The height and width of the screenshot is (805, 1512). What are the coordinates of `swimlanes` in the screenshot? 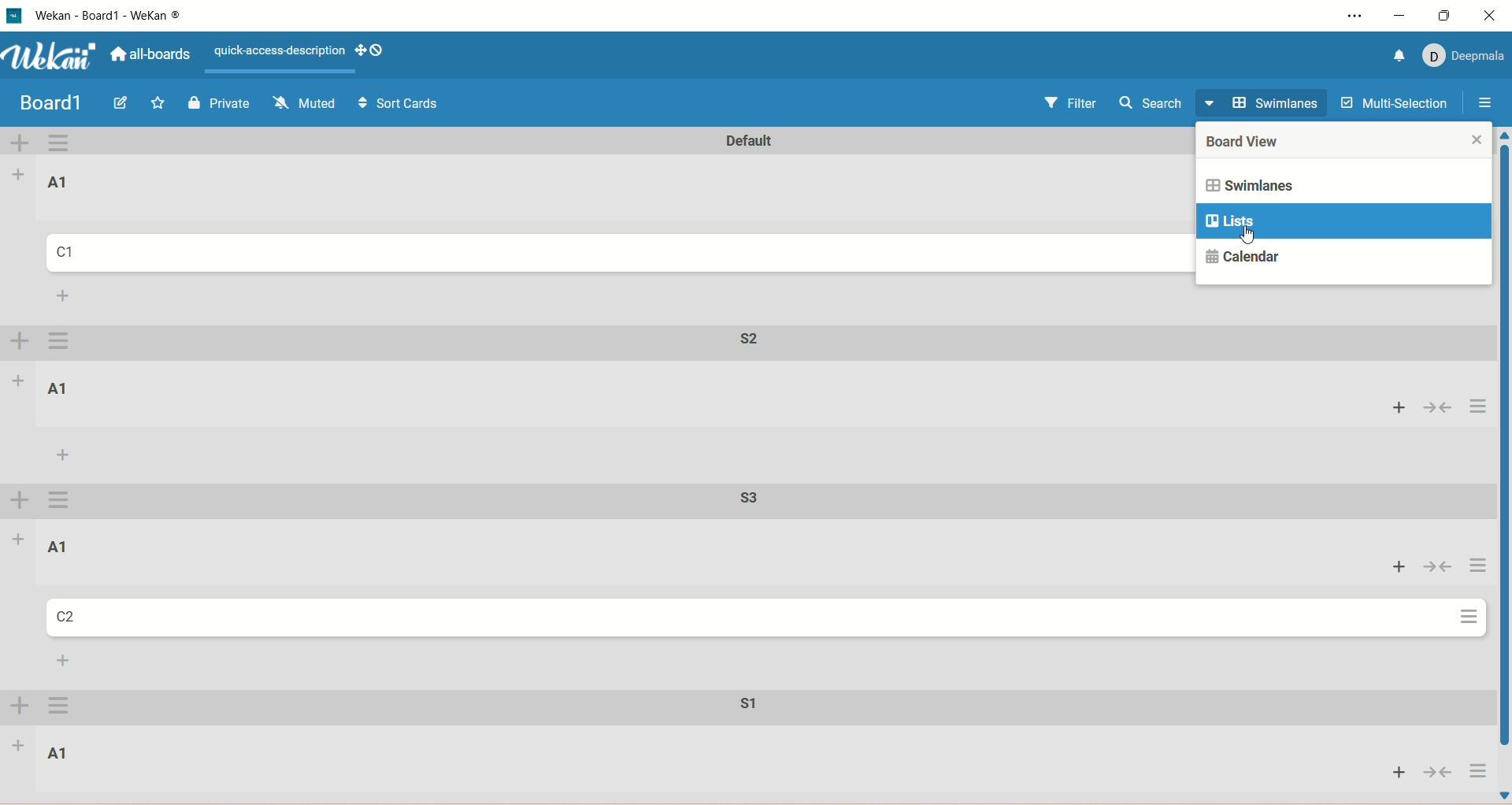 It's located at (1265, 104).